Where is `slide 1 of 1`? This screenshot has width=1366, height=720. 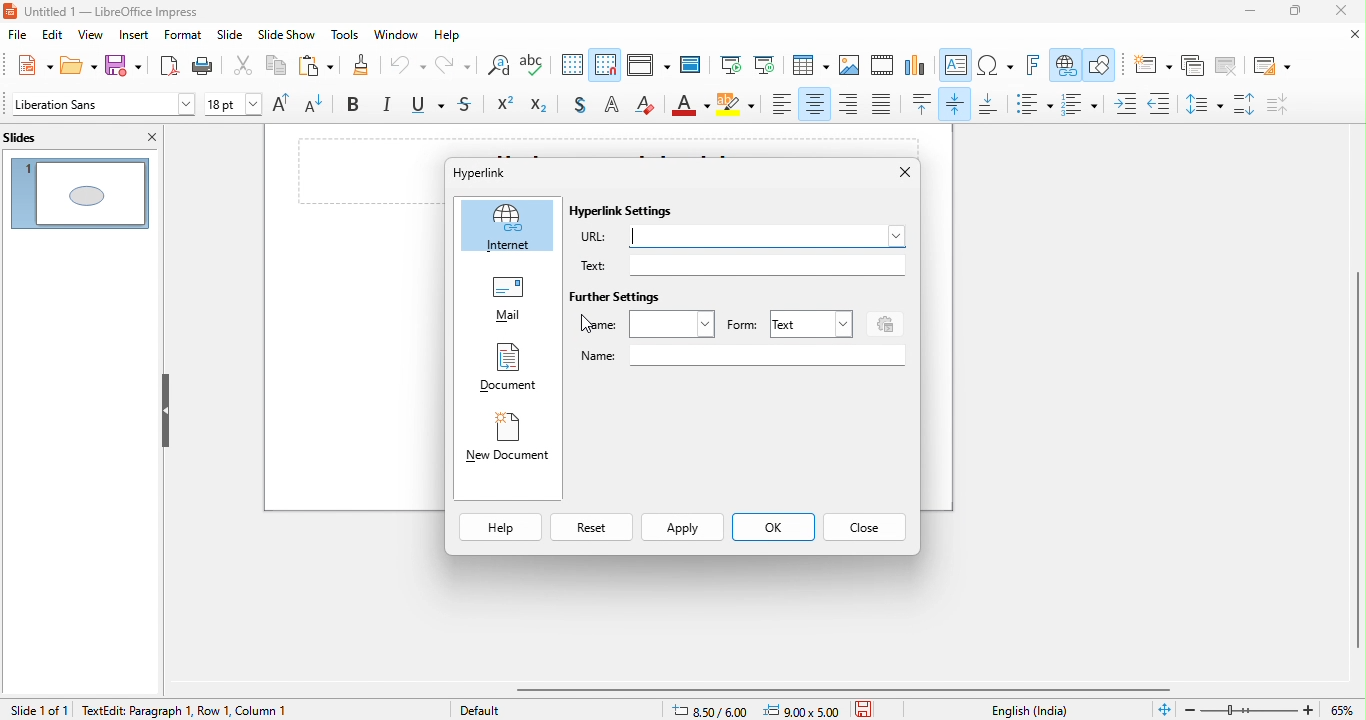 slide 1 of 1 is located at coordinates (38, 709).